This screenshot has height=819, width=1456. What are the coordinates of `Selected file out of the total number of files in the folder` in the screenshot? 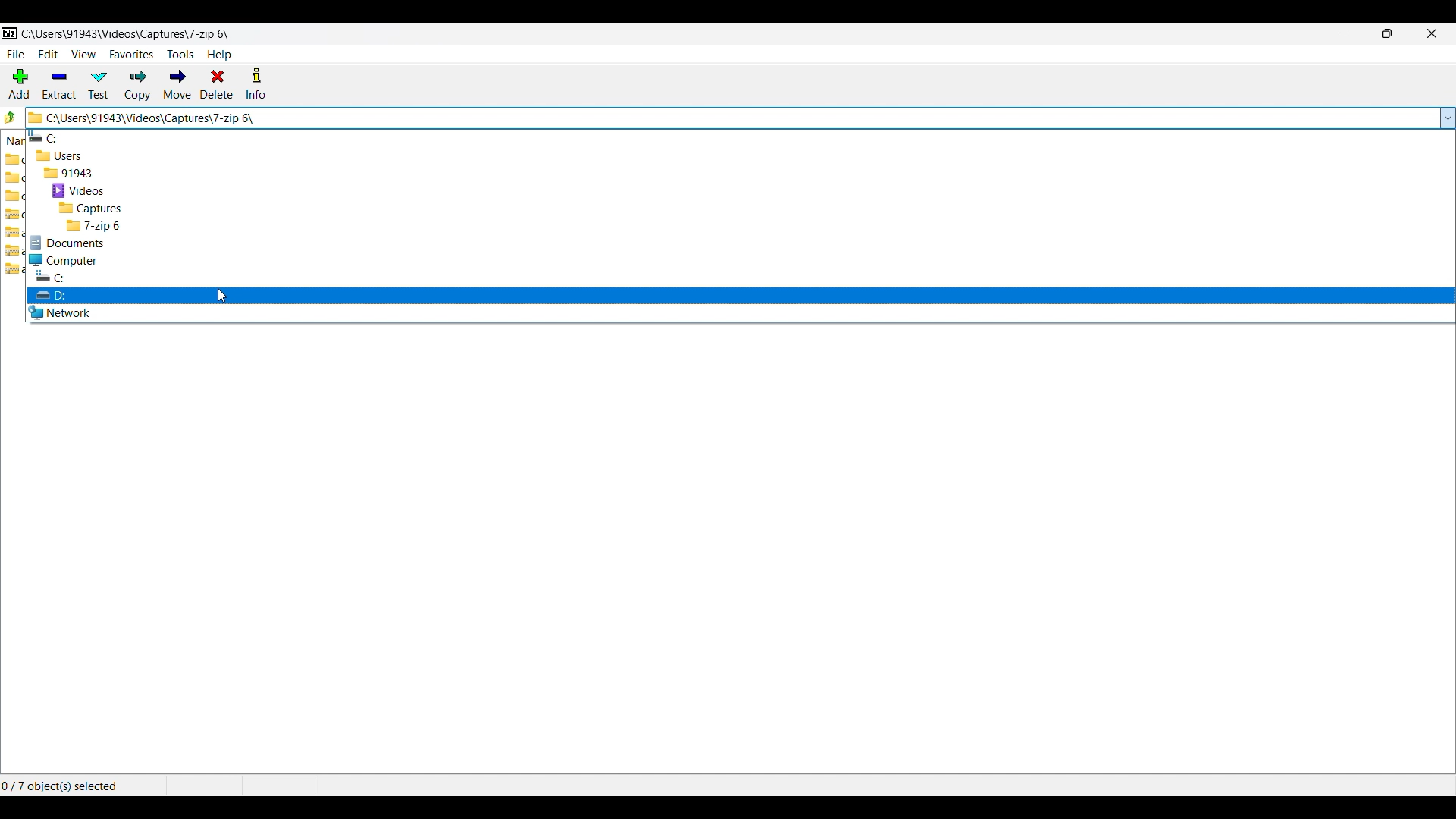 It's located at (72, 786).